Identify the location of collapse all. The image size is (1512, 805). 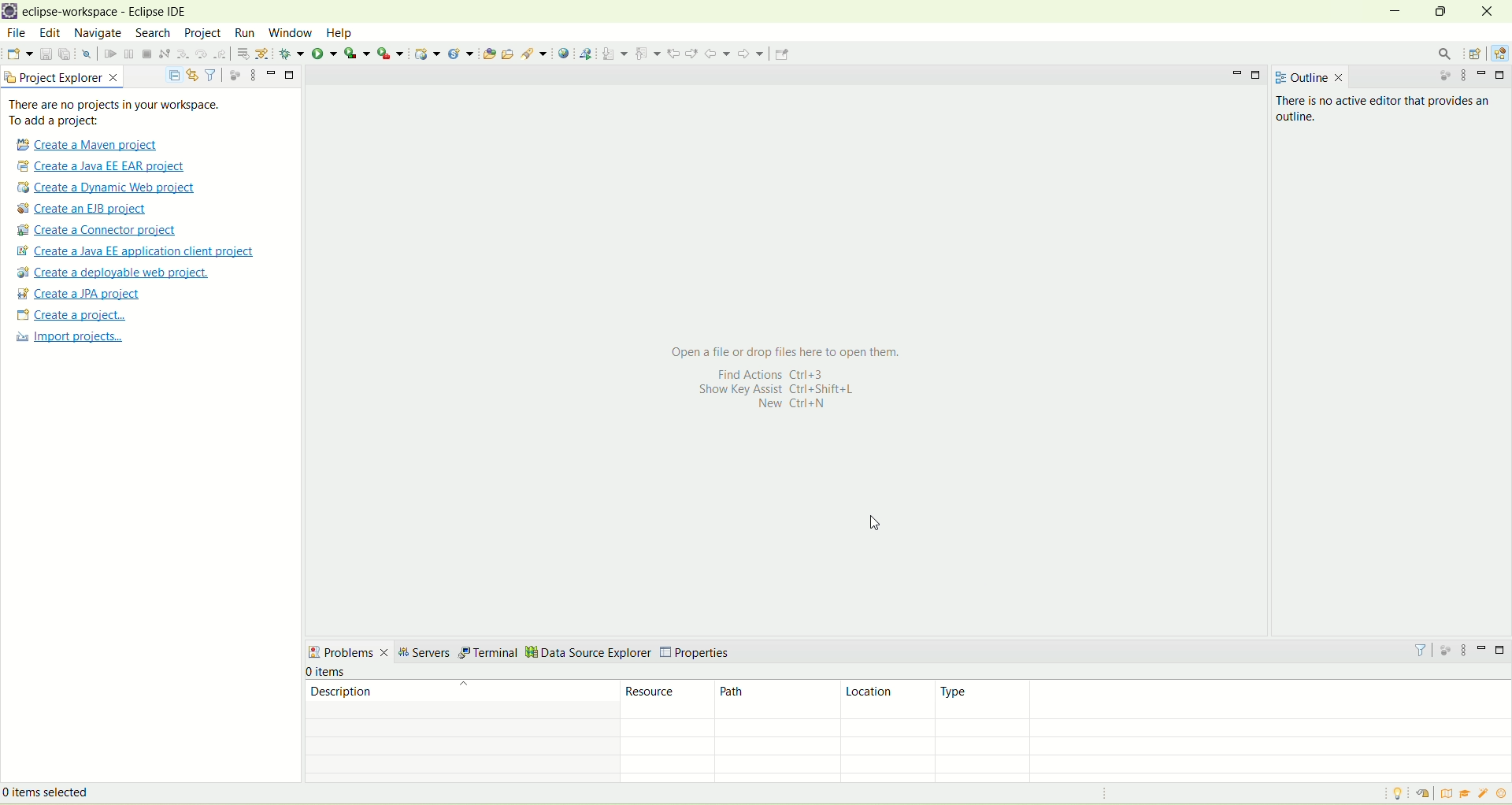
(174, 72).